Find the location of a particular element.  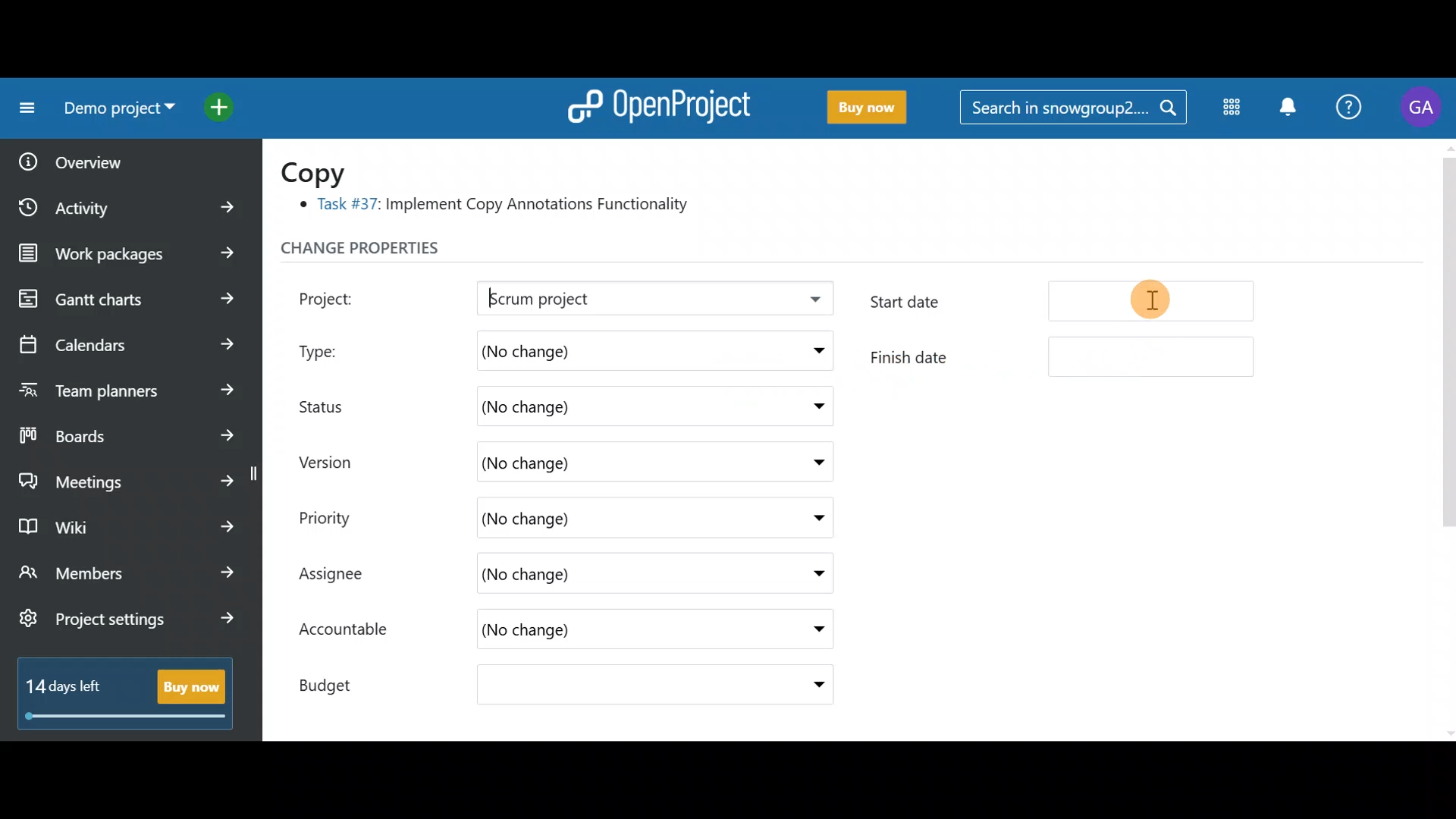

Gantt charts is located at coordinates (124, 300).